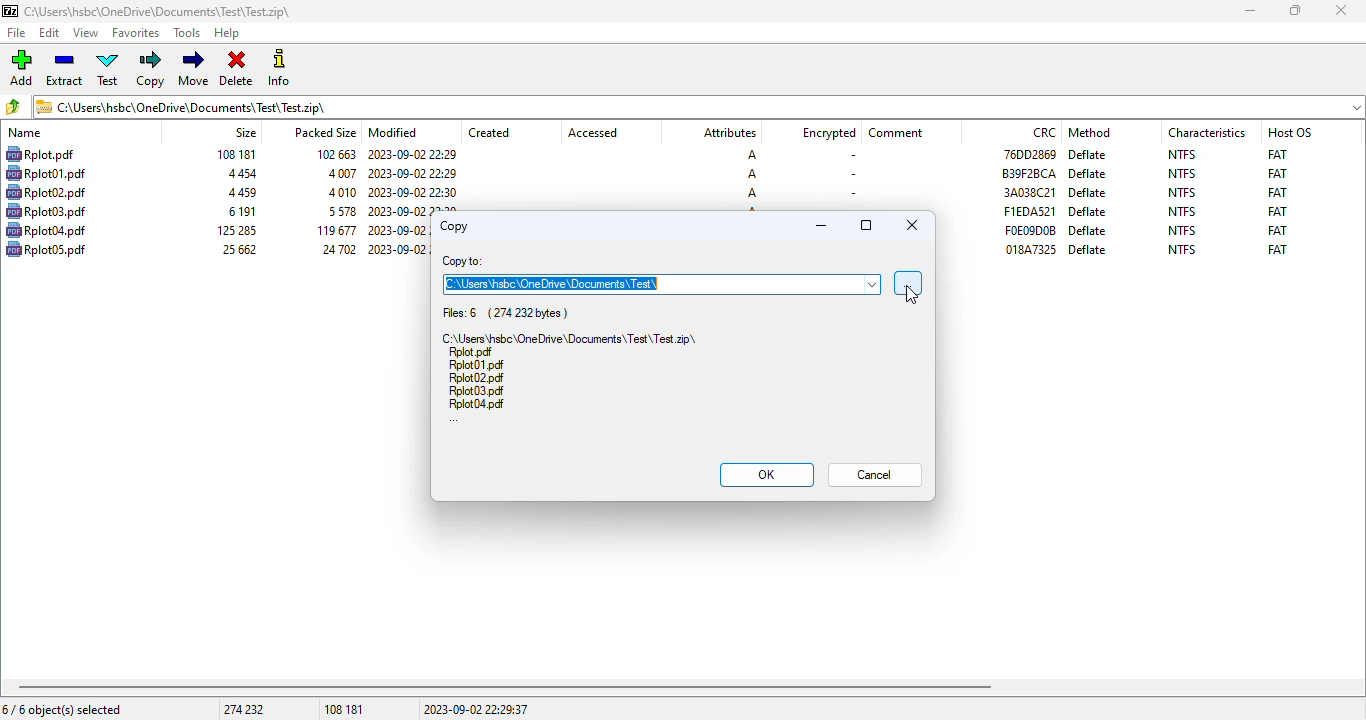  What do you see at coordinates (398, 231) in the screenshot?
I see `modified date & time` at bounding box center [398, 231].